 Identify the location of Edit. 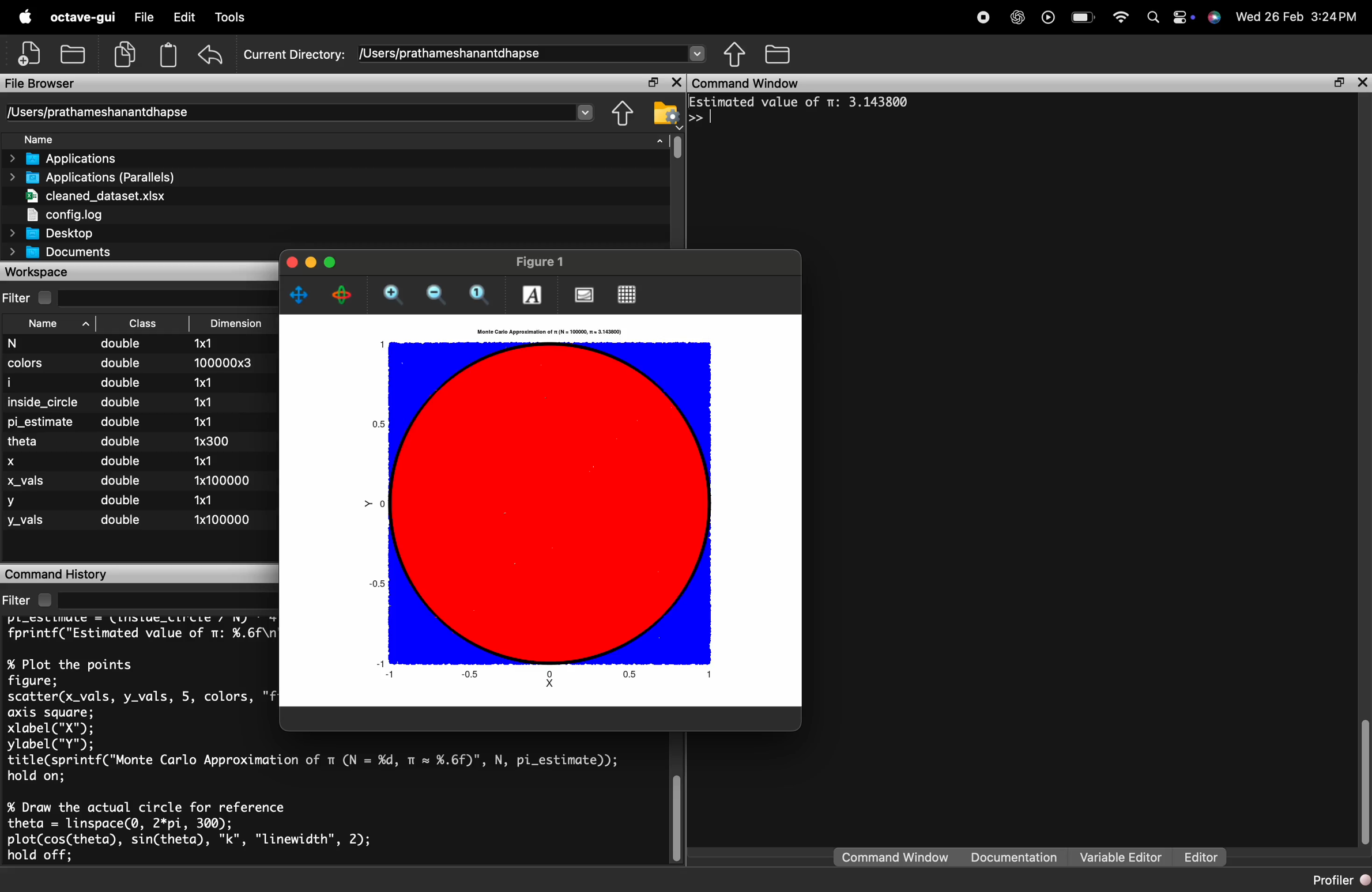
(183, 19).